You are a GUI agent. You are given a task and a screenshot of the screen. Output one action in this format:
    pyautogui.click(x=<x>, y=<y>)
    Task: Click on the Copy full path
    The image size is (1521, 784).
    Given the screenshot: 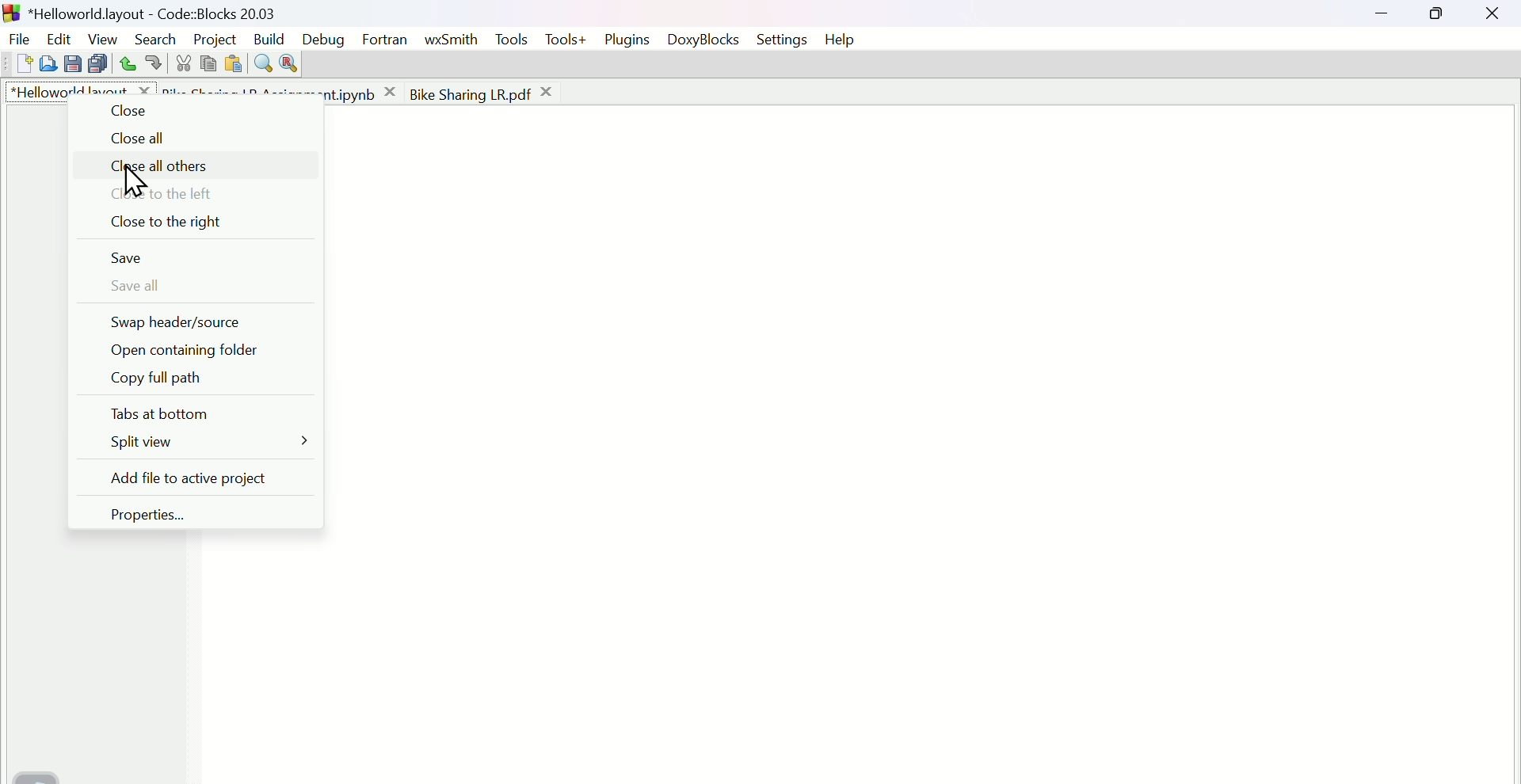 What is the action you would take?
    pyautogui.click(x=173, y=381)
    